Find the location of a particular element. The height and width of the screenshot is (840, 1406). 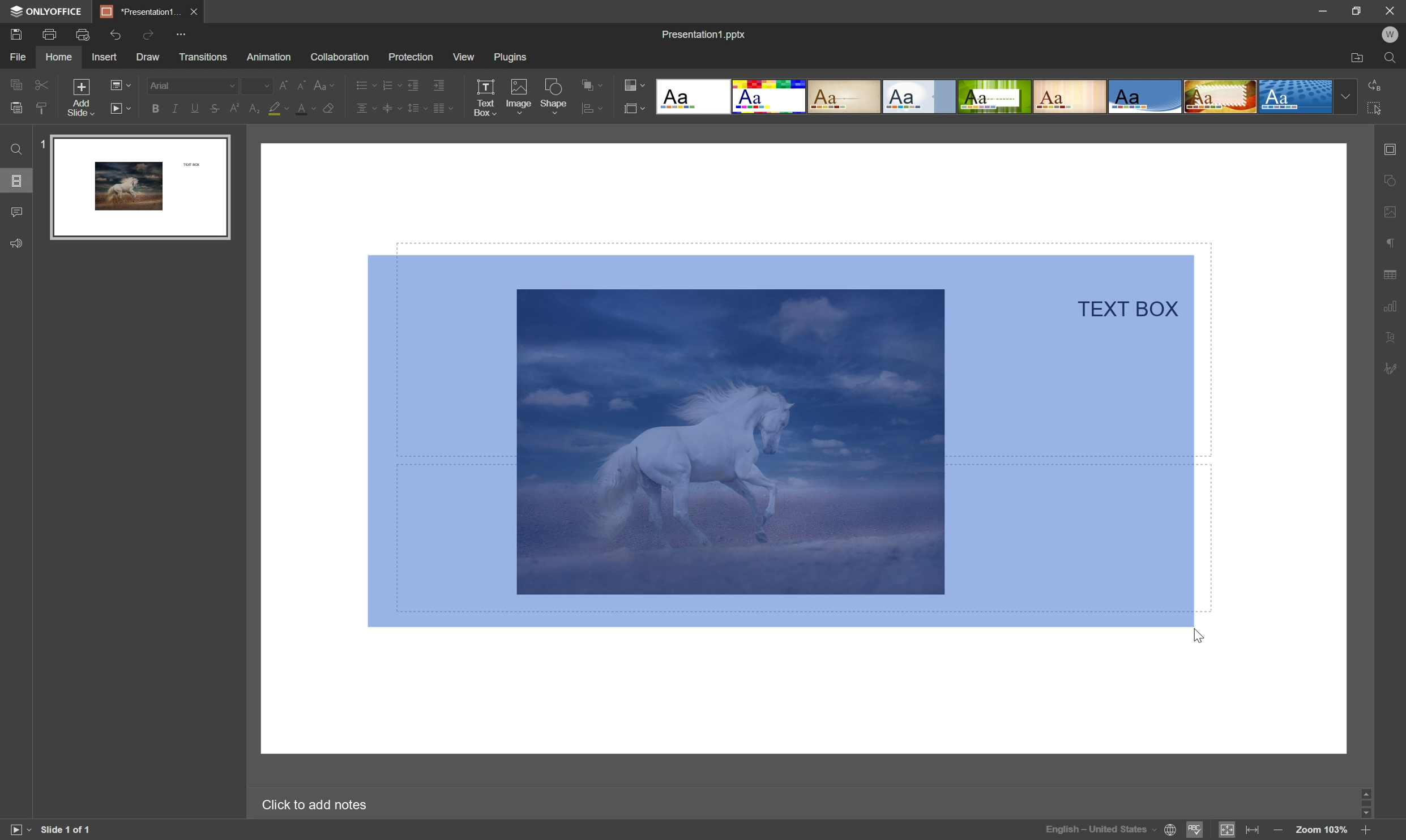

arrange shape is located at coordinates (592, 109).